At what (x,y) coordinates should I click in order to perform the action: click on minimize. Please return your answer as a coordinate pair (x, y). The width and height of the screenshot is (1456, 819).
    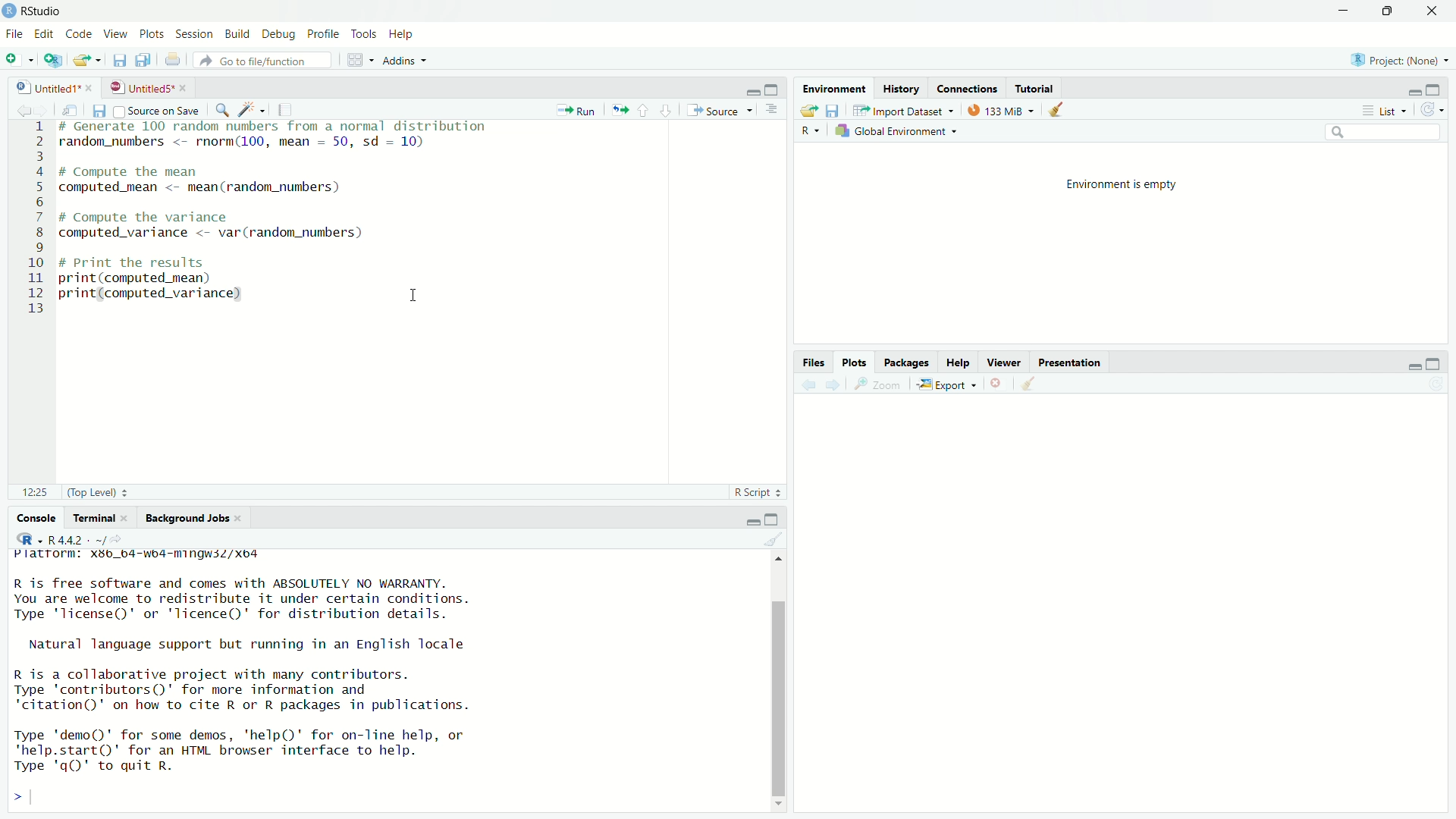
    Looking at the image, I should click on (748, 88).